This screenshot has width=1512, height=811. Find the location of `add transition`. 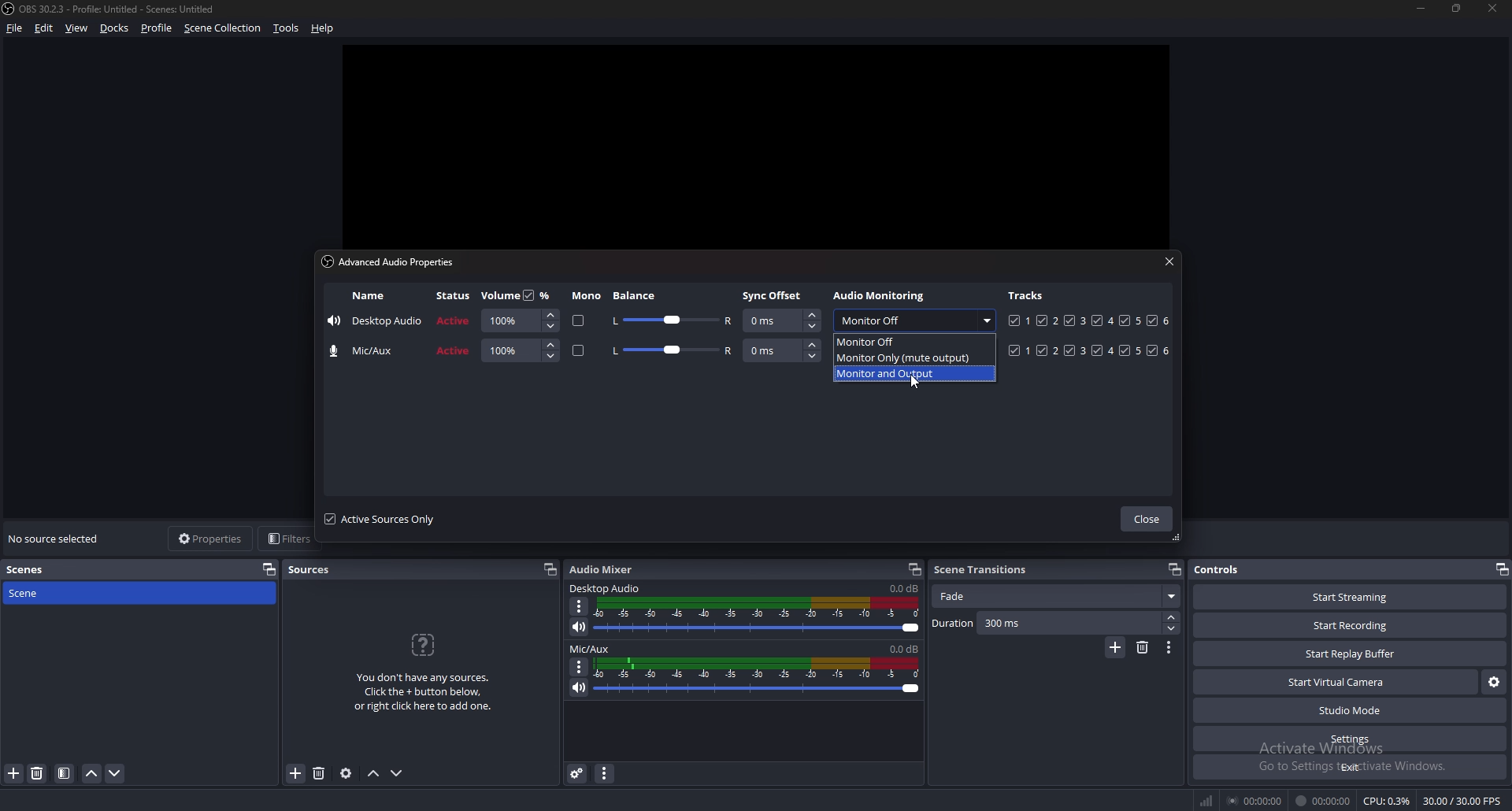

add transition is located at coordinates (1116, 647).